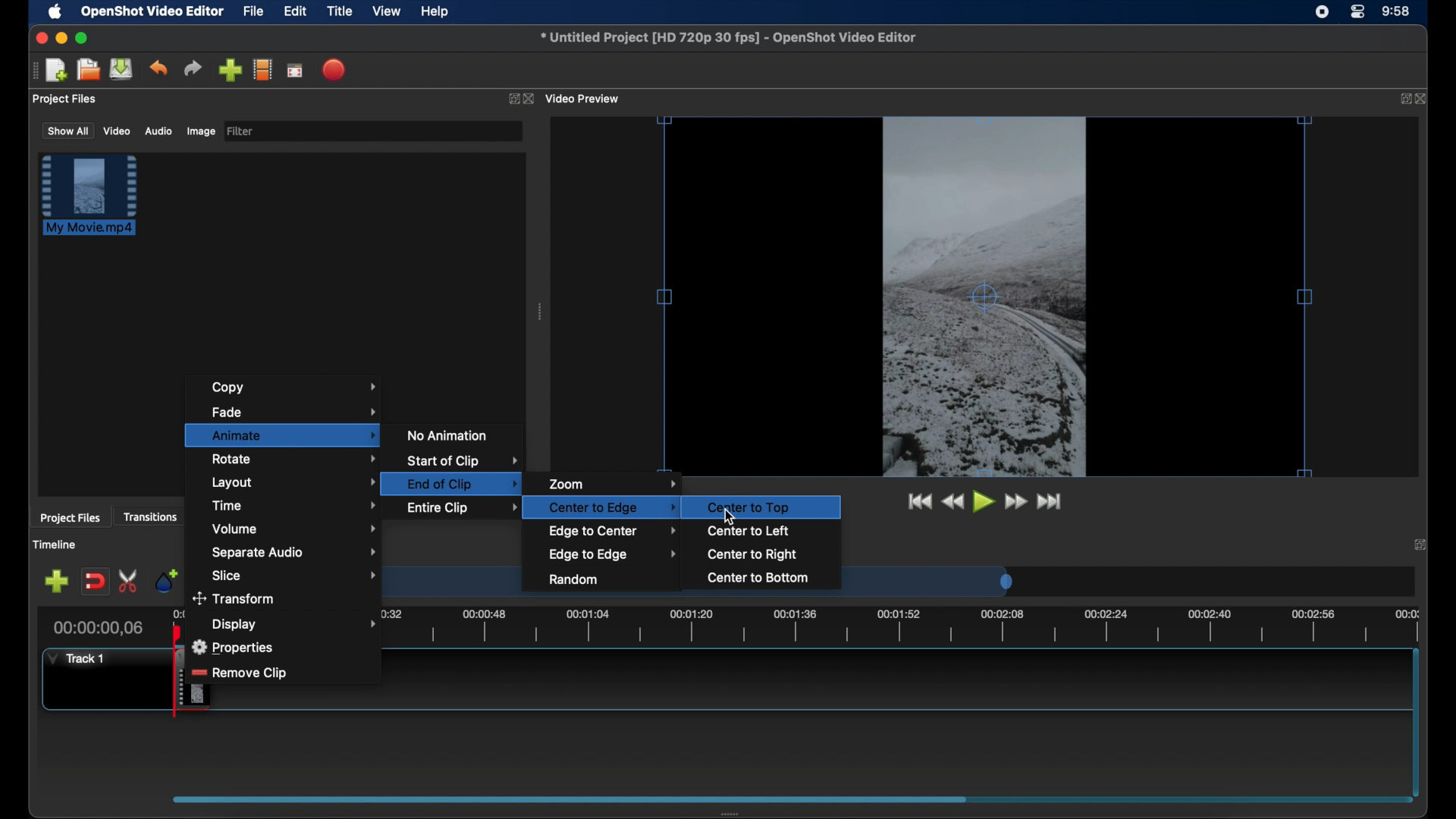  What do you see at coordinates (177, 634) in the screenshot?
I see `playhead` at bounding box center [177, 634].